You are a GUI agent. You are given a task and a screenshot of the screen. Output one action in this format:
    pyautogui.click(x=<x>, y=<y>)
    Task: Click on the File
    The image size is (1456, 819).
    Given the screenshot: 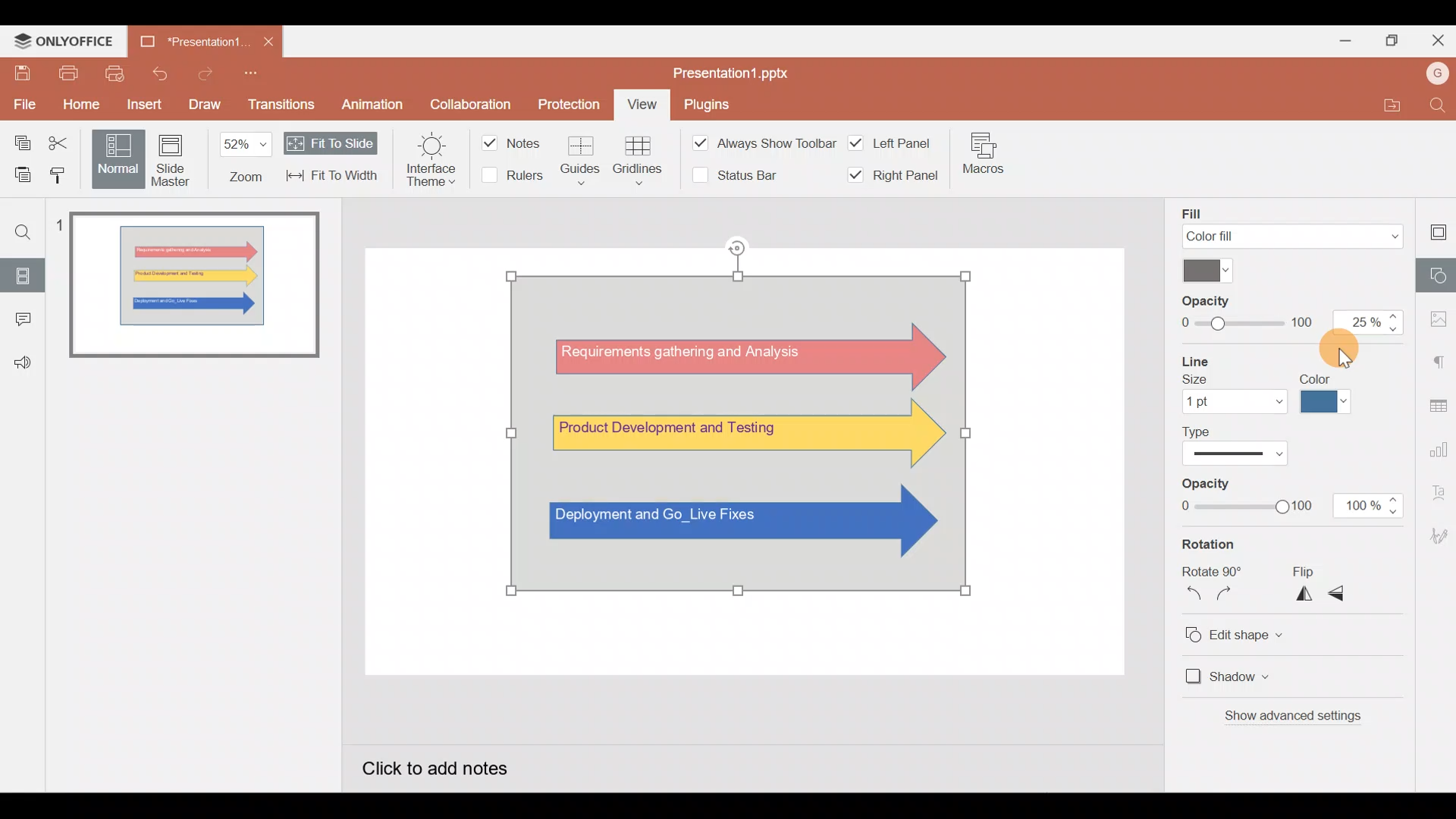 What is the action you would take?
    pyautogui.click(x=23, y=102)
    